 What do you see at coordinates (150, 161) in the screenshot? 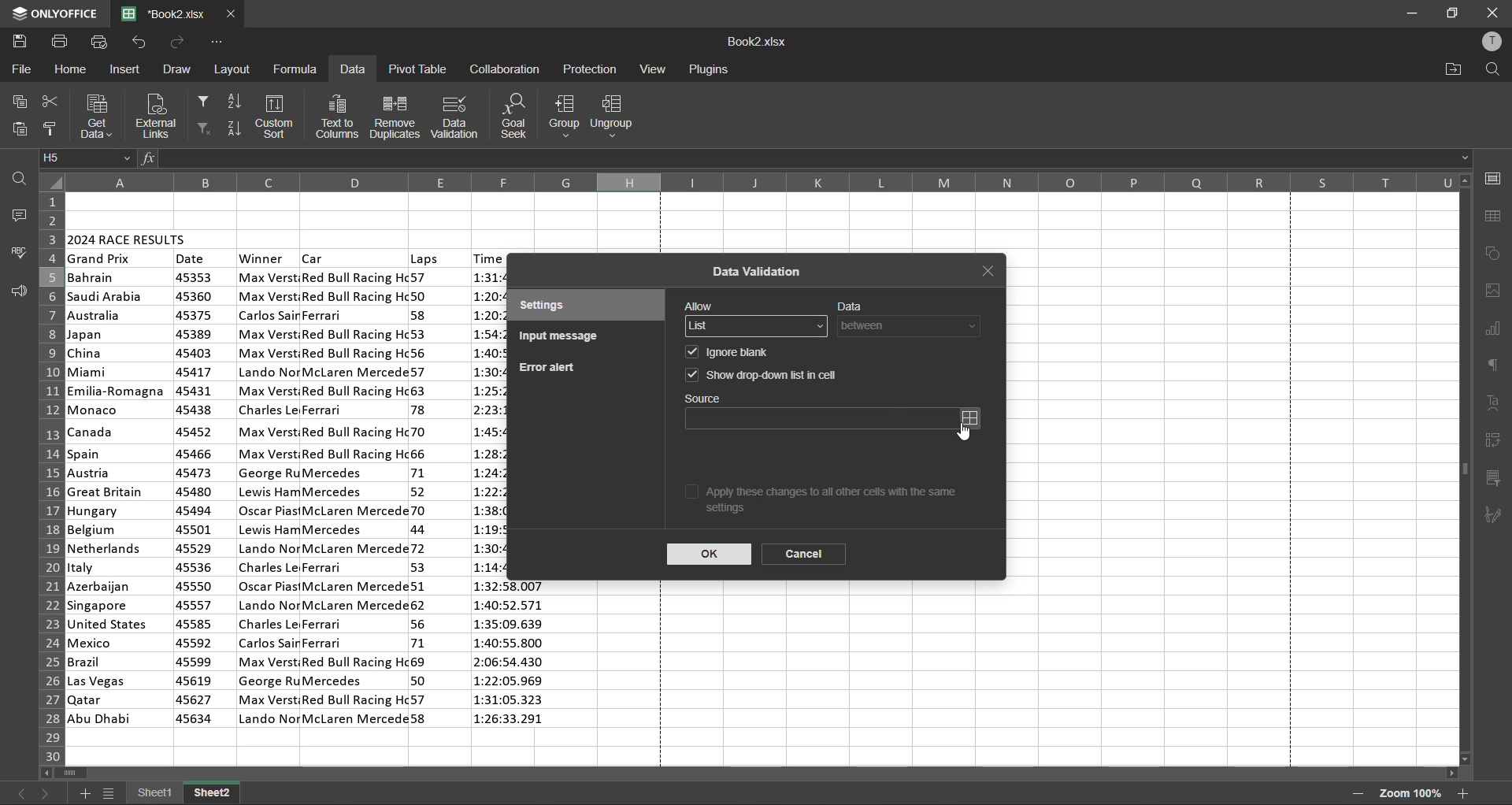
I see `fx` at bounding box center [150, 161].